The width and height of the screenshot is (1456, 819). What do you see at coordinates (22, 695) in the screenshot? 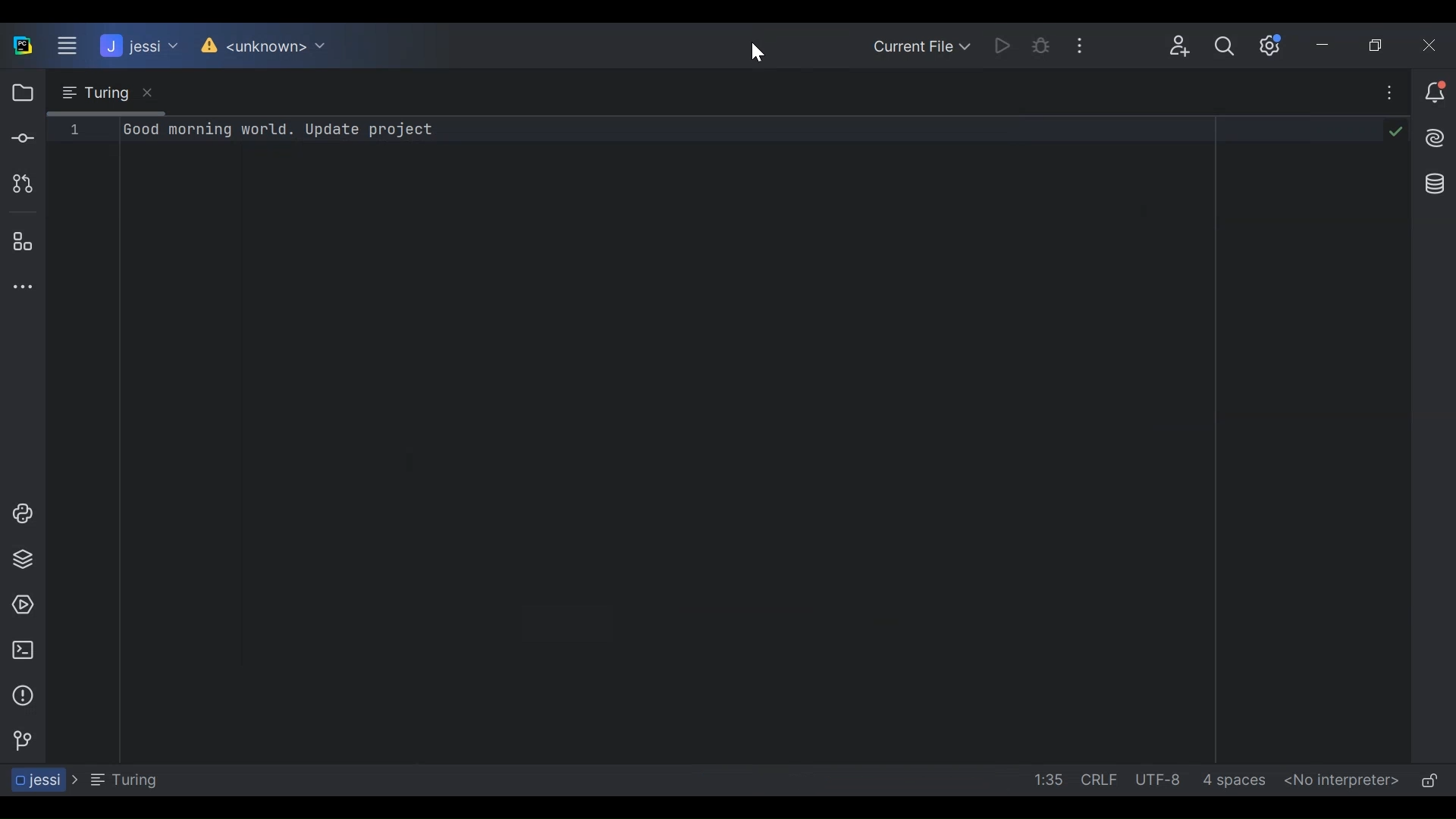
I see `Problem ` at bounding box center [22, 695].